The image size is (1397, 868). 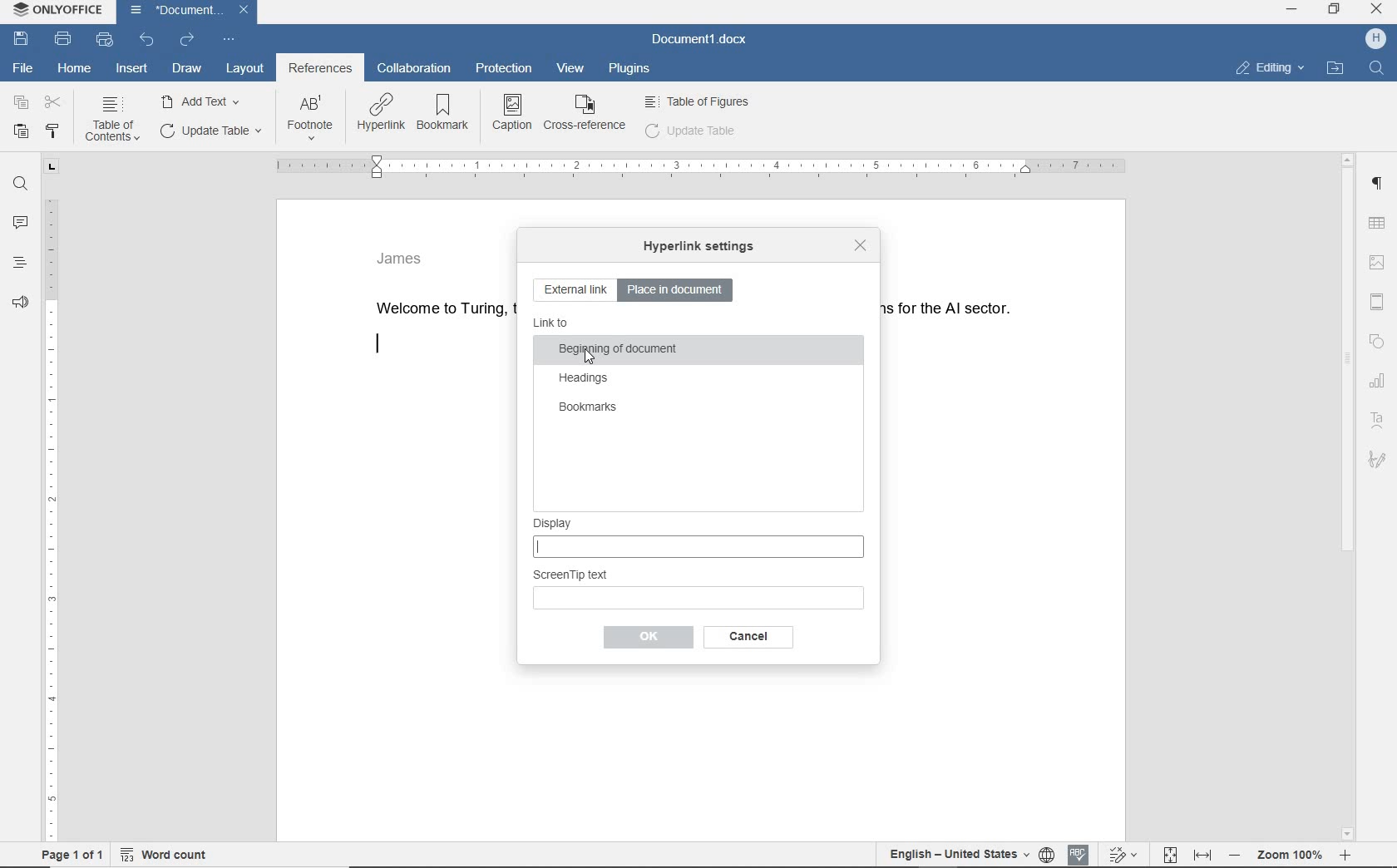 I want to click on header & footer, so click(x=1376, y=300).